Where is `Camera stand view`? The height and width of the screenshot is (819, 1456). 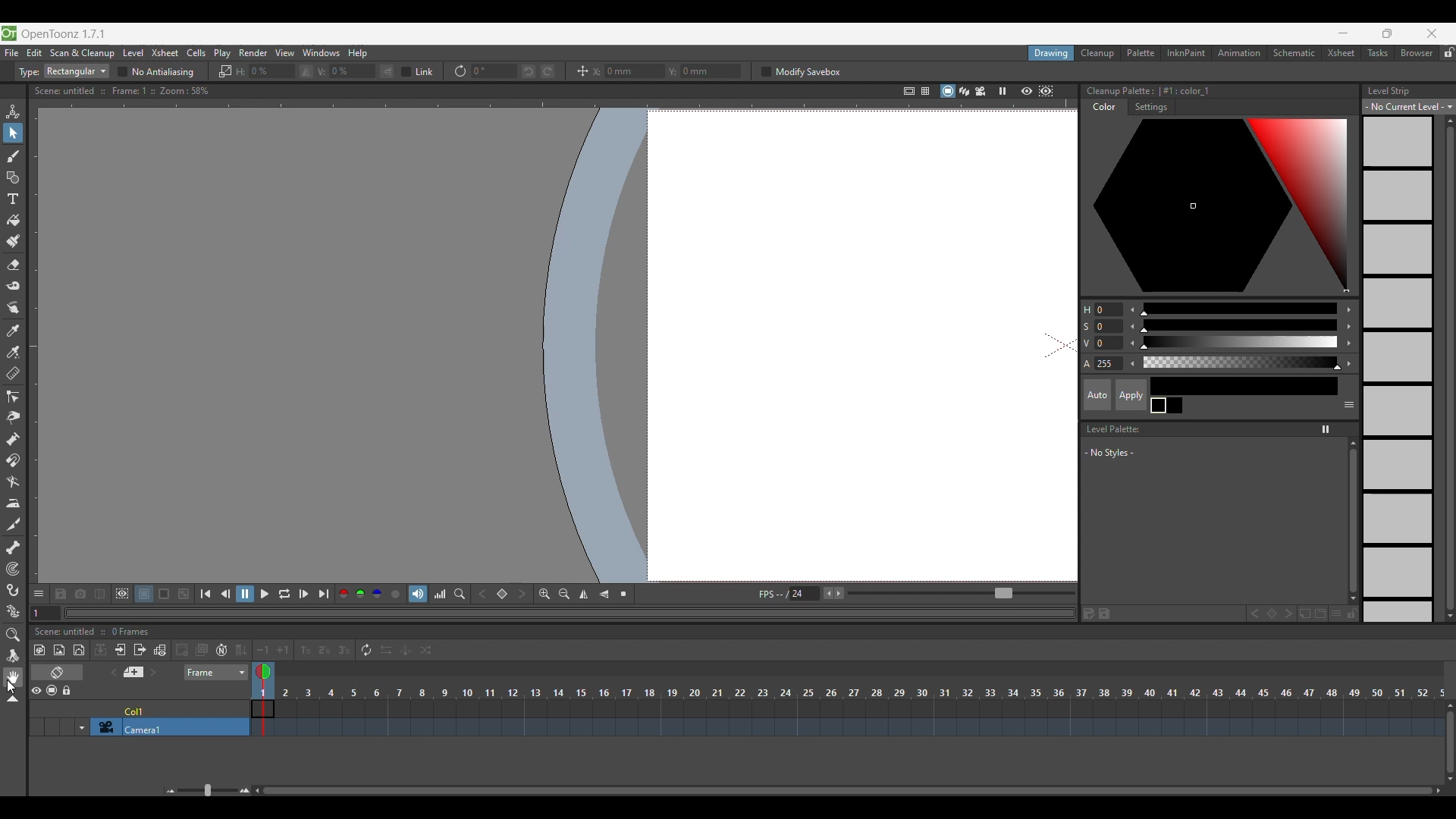 Camera stand view is located at coordinates (943, 91).